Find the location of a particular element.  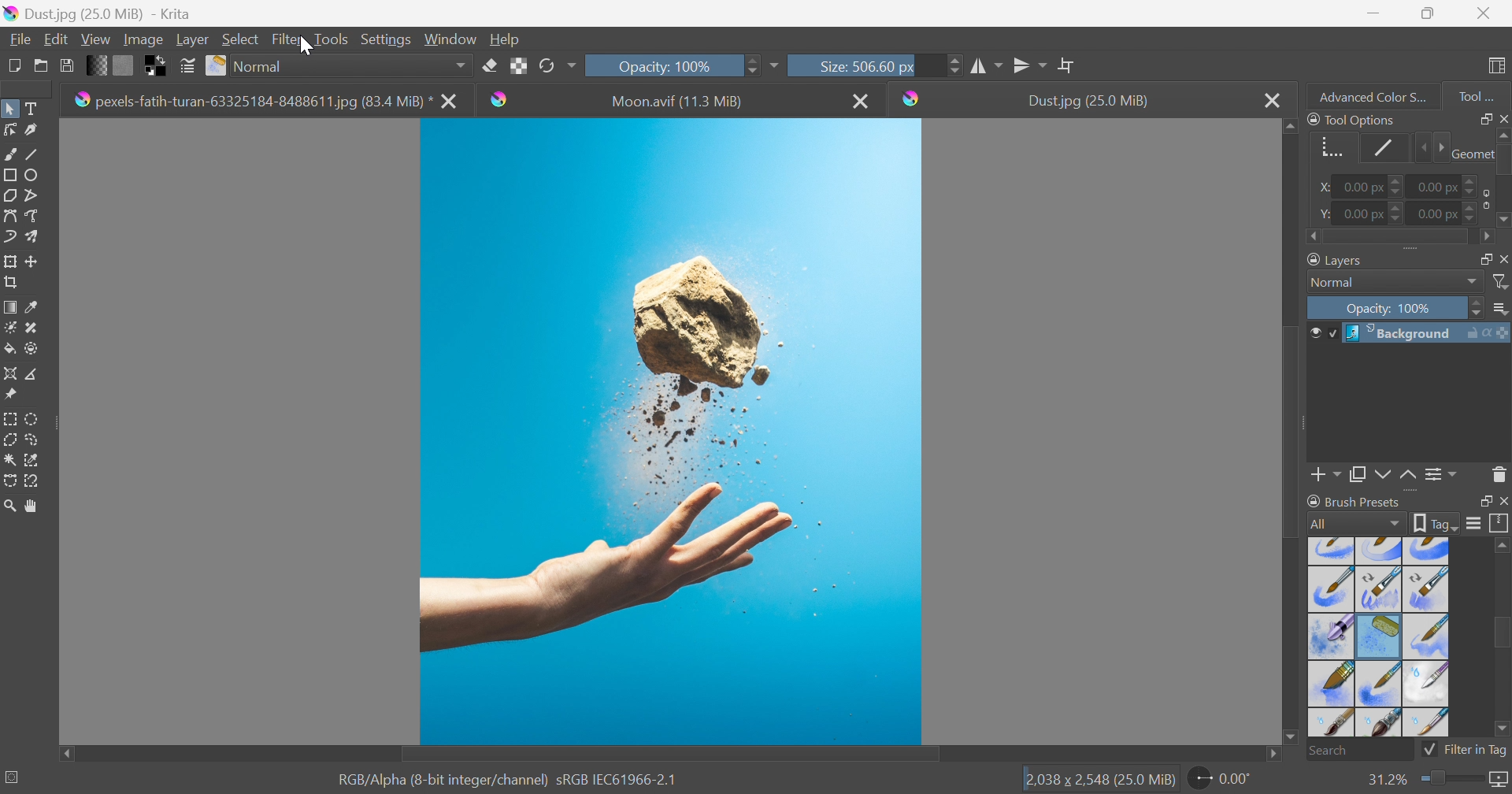

RGB Alpha (8-bit integer/channel) sRGB IEC61966-2.1 is located at coordinates (508, 778).